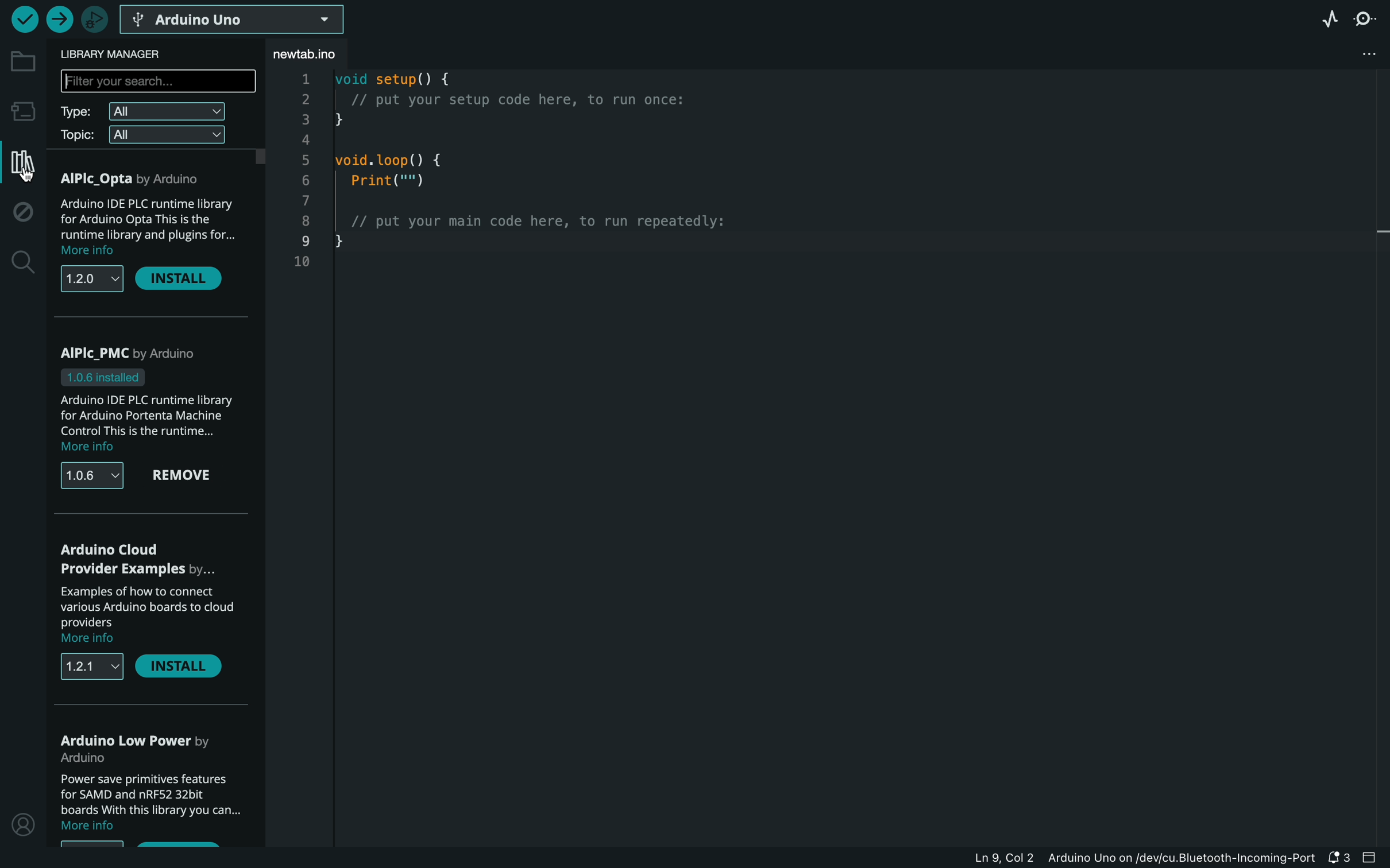  I want to click on file tab, so click(327, 54).